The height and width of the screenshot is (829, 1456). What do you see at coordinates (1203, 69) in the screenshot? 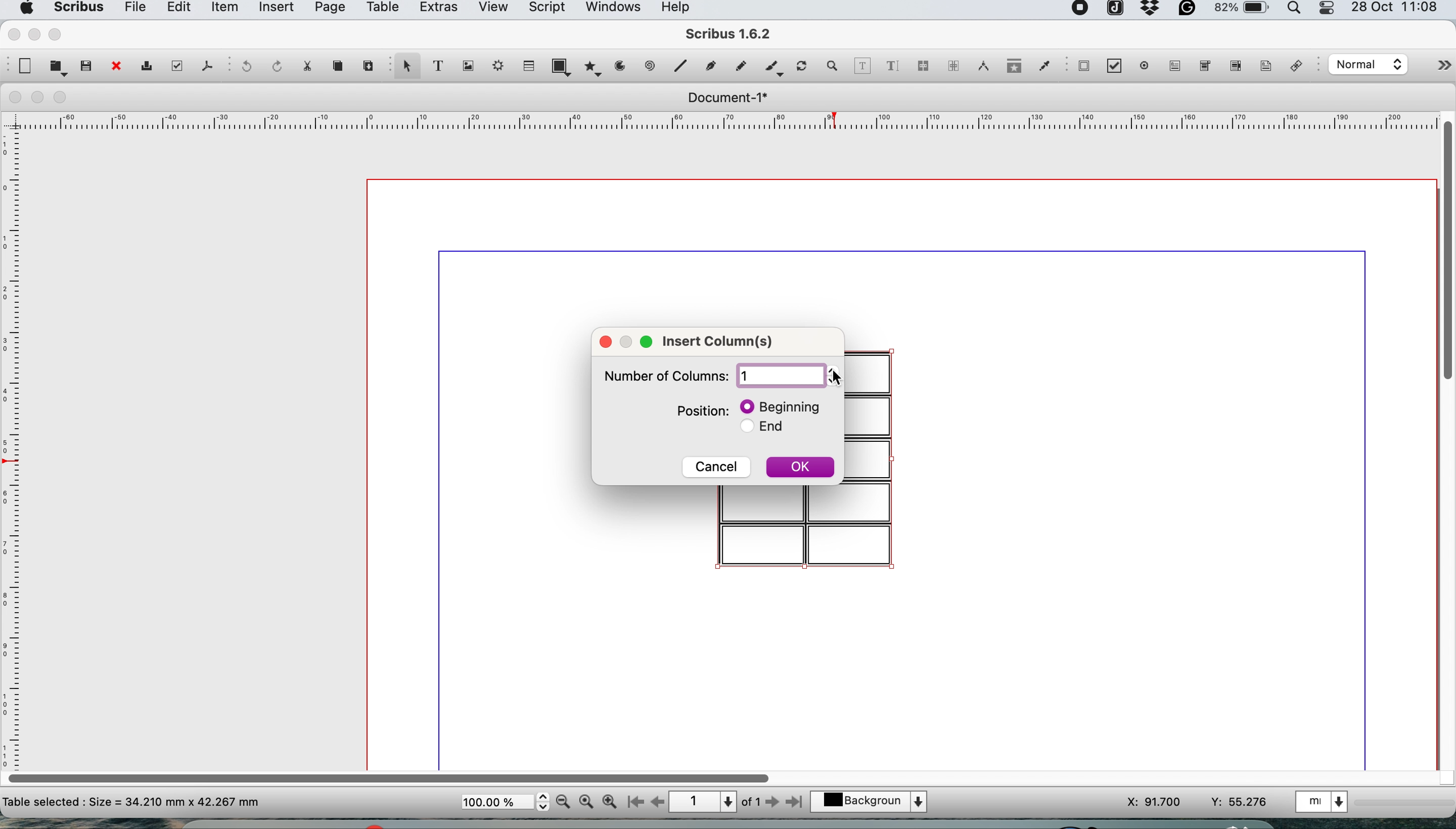
I see `pdf combo box` at bounding box center [1203, 69].